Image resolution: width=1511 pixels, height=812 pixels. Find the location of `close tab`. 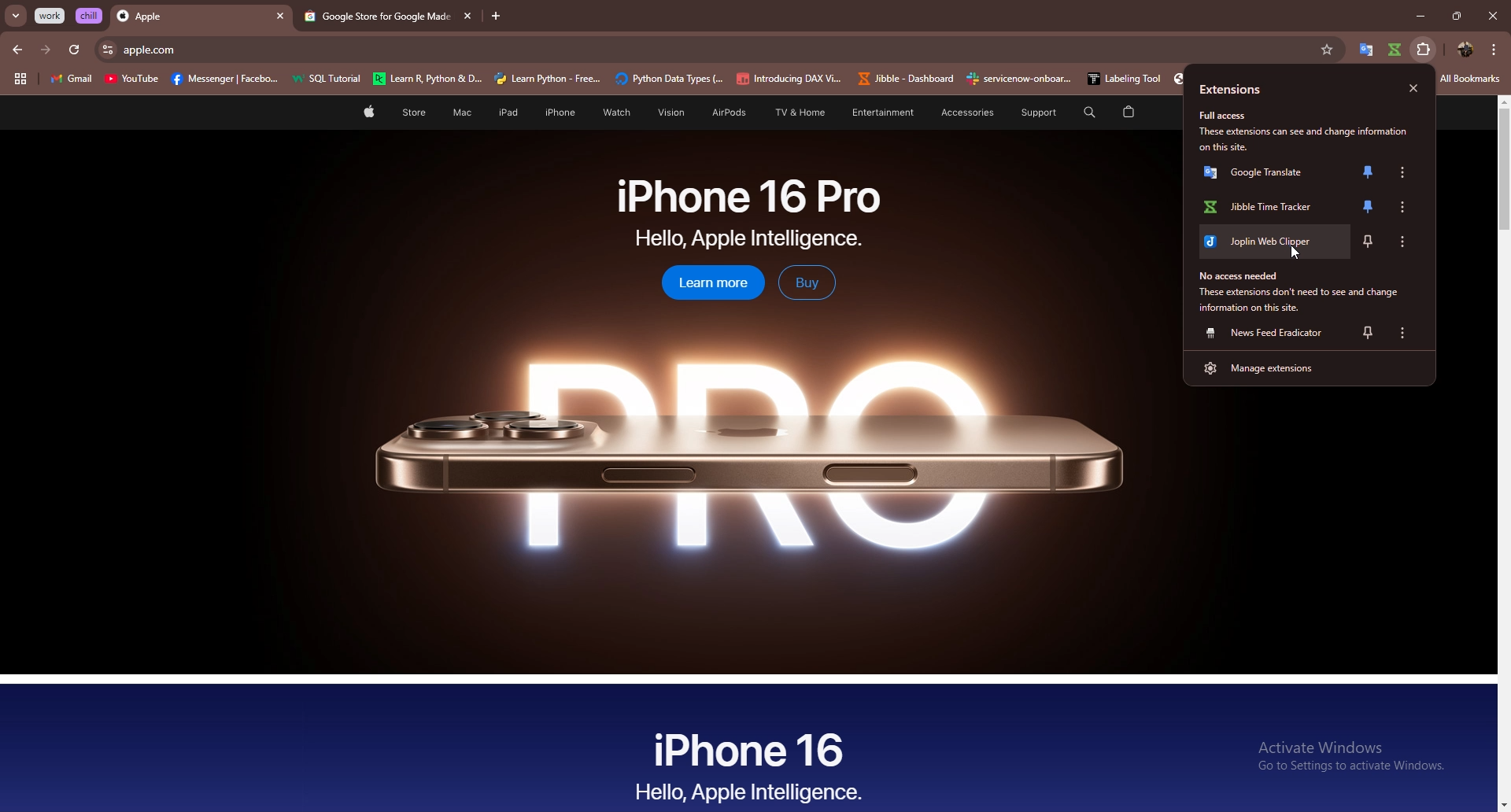

close tab is located at coordinates (465, 16).